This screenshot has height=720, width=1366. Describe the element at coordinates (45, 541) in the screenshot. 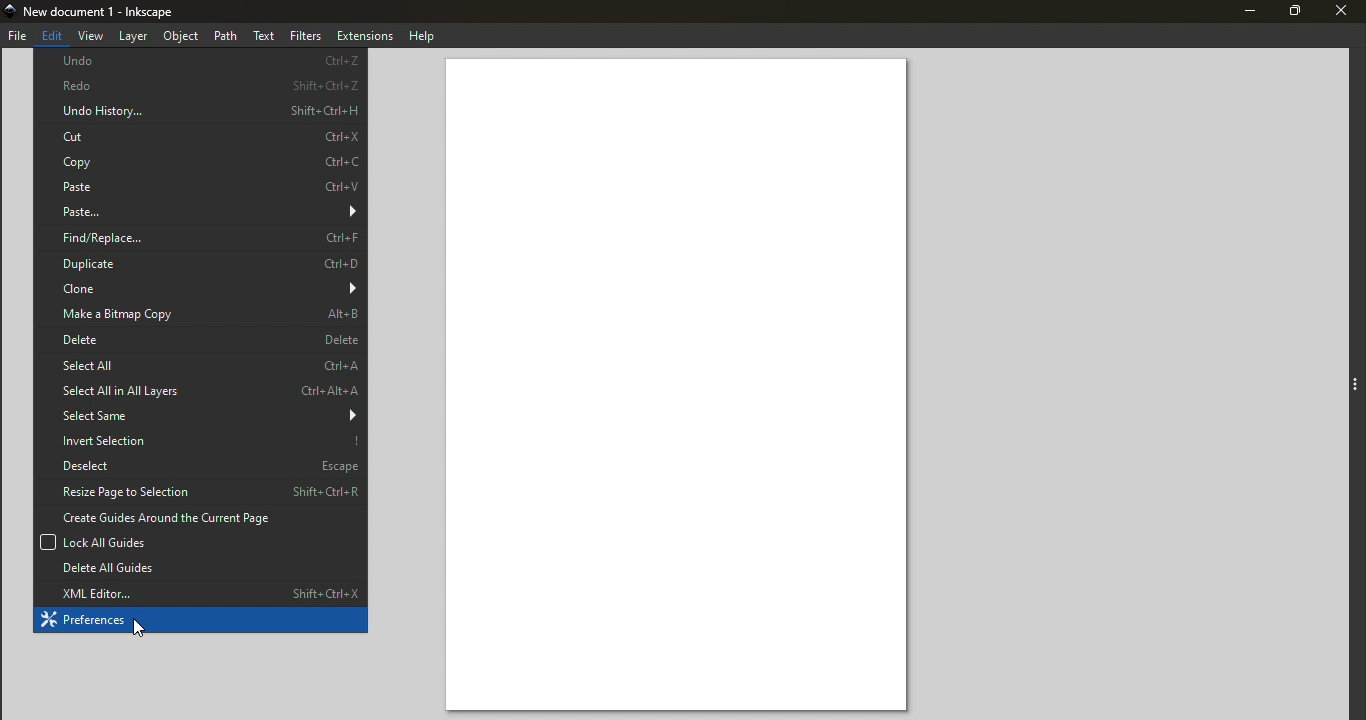

I see `checkbox` at that location.